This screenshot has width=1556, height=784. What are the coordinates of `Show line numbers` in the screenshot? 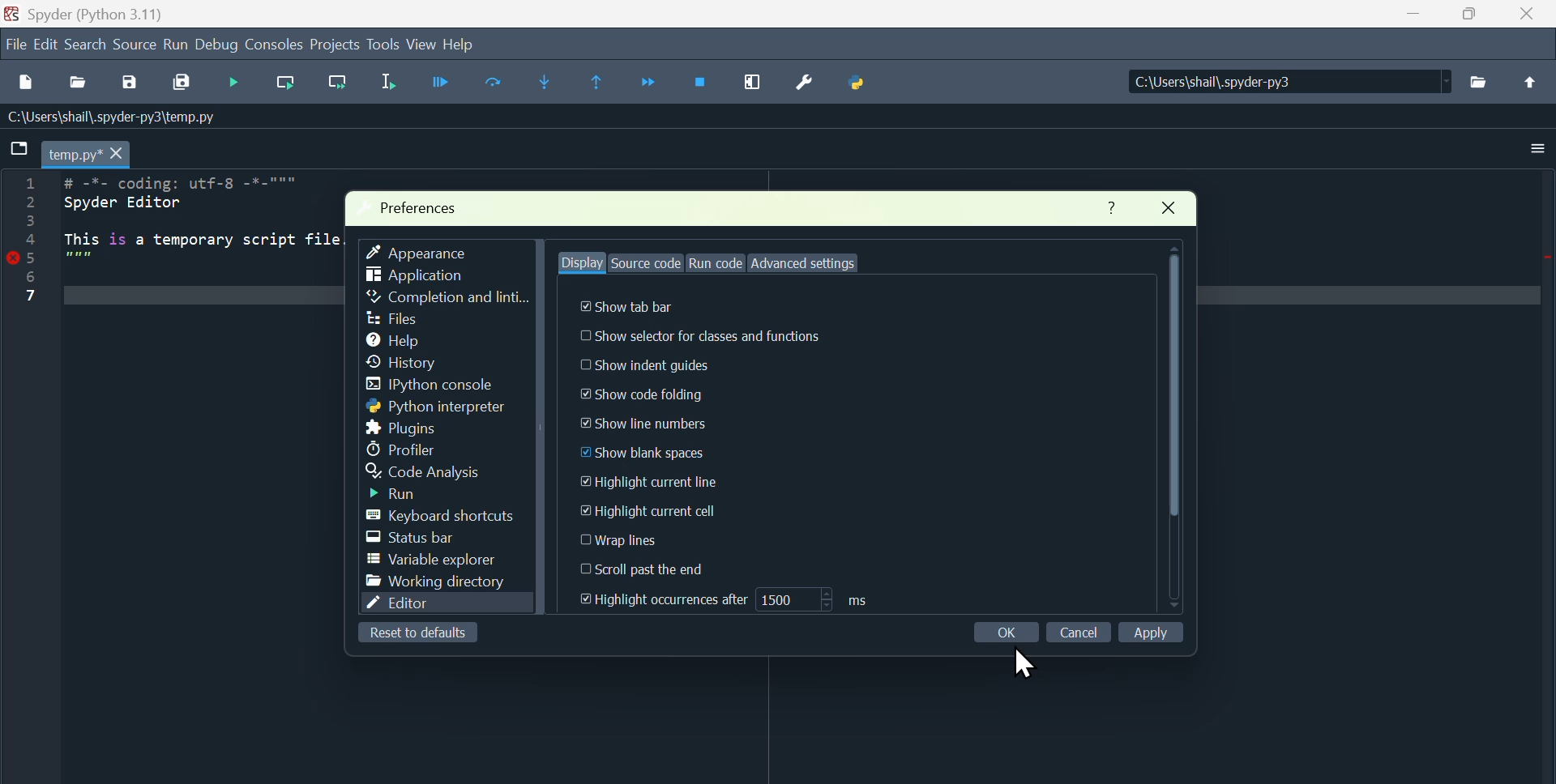 It's located at (648, 421).